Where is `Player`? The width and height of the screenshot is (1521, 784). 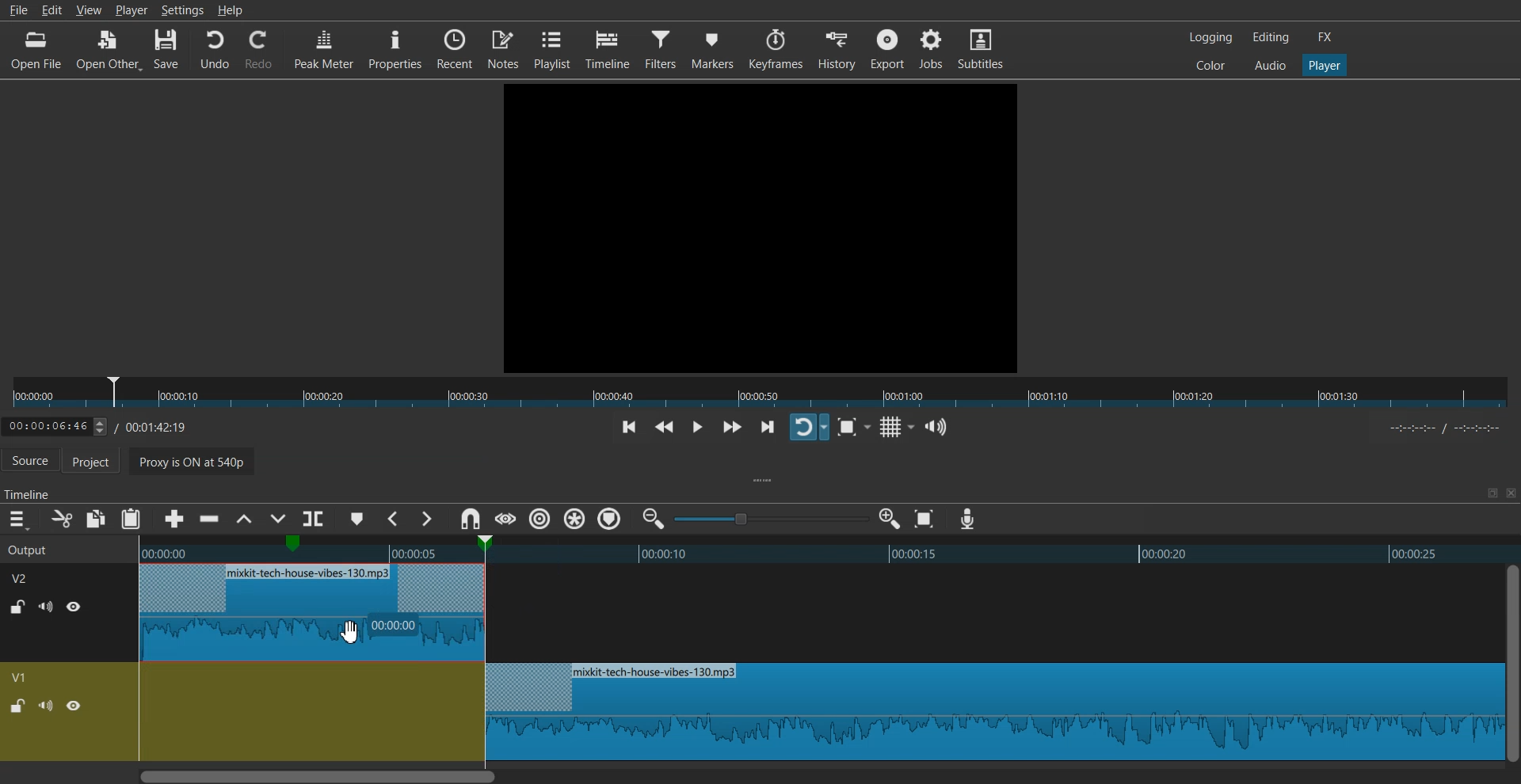
Player is located at coordinates (132, 10).